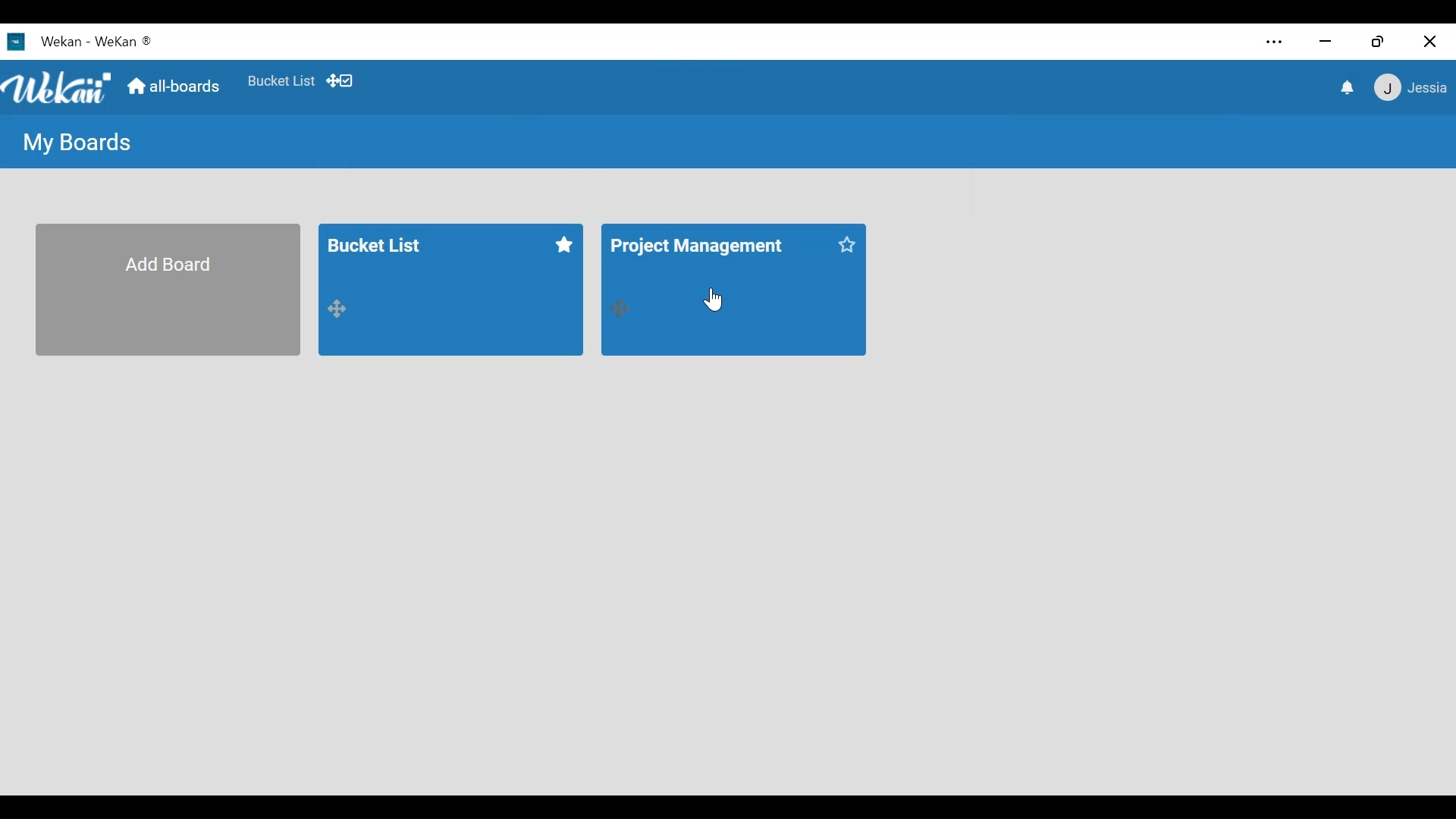 This screenshot has width=1456, height=819. Describe the element at coordinates (1272, 42) in the screenshot. I see `settings and more` at that location.